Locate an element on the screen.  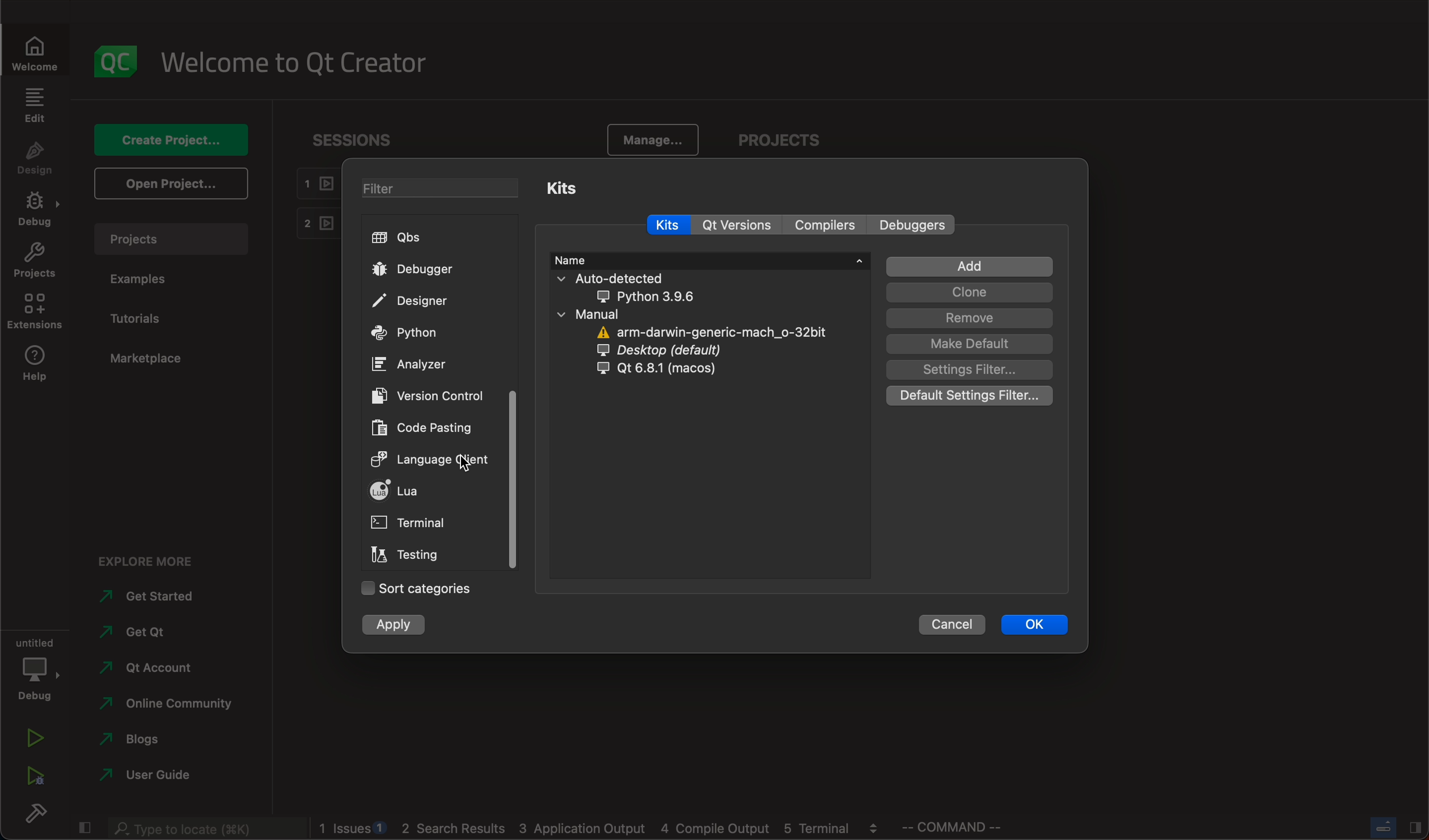
version is located at coordinates (428, 396).